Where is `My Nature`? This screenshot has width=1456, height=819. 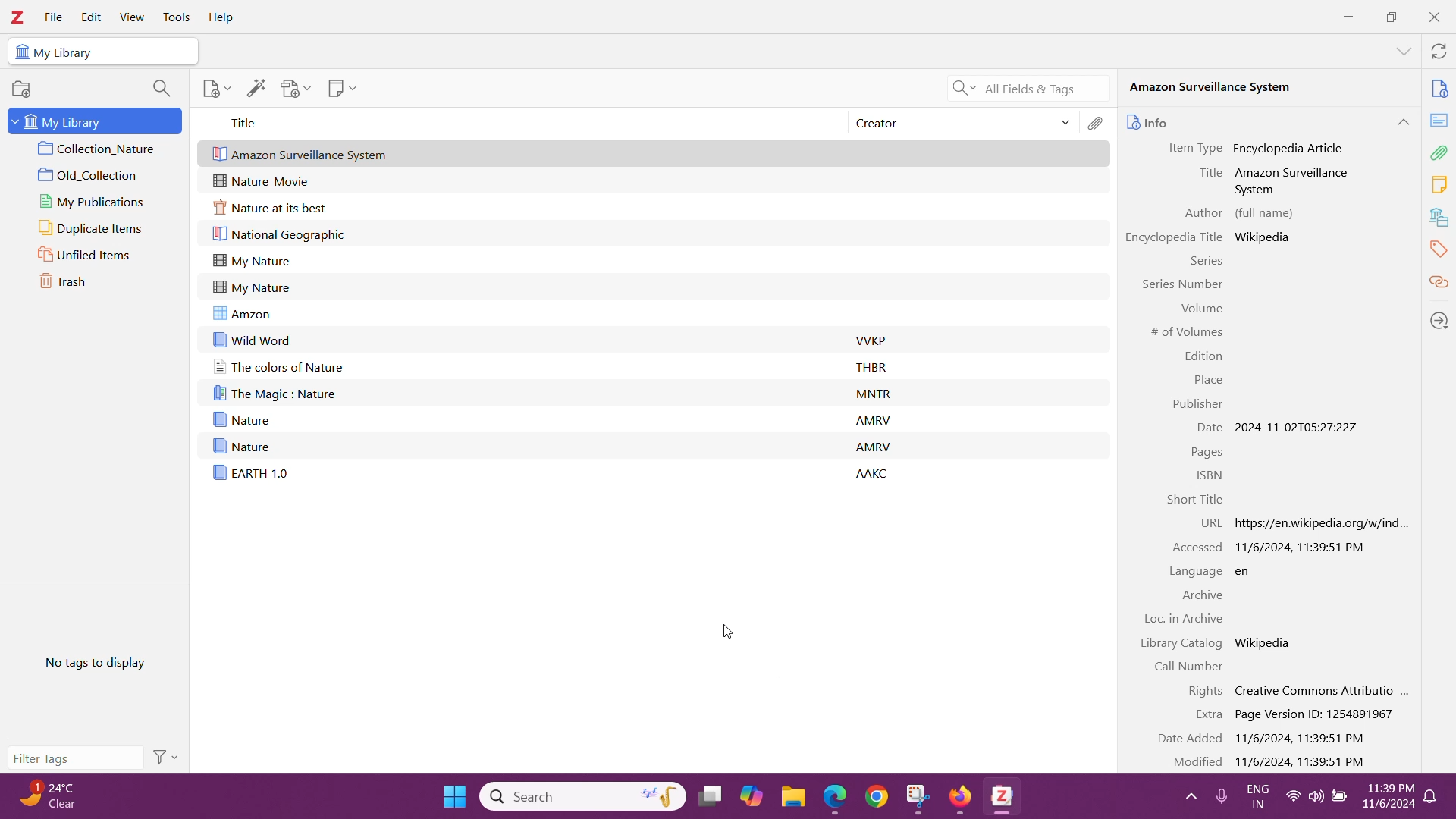 My Nature is located at coordinates (251, 260).